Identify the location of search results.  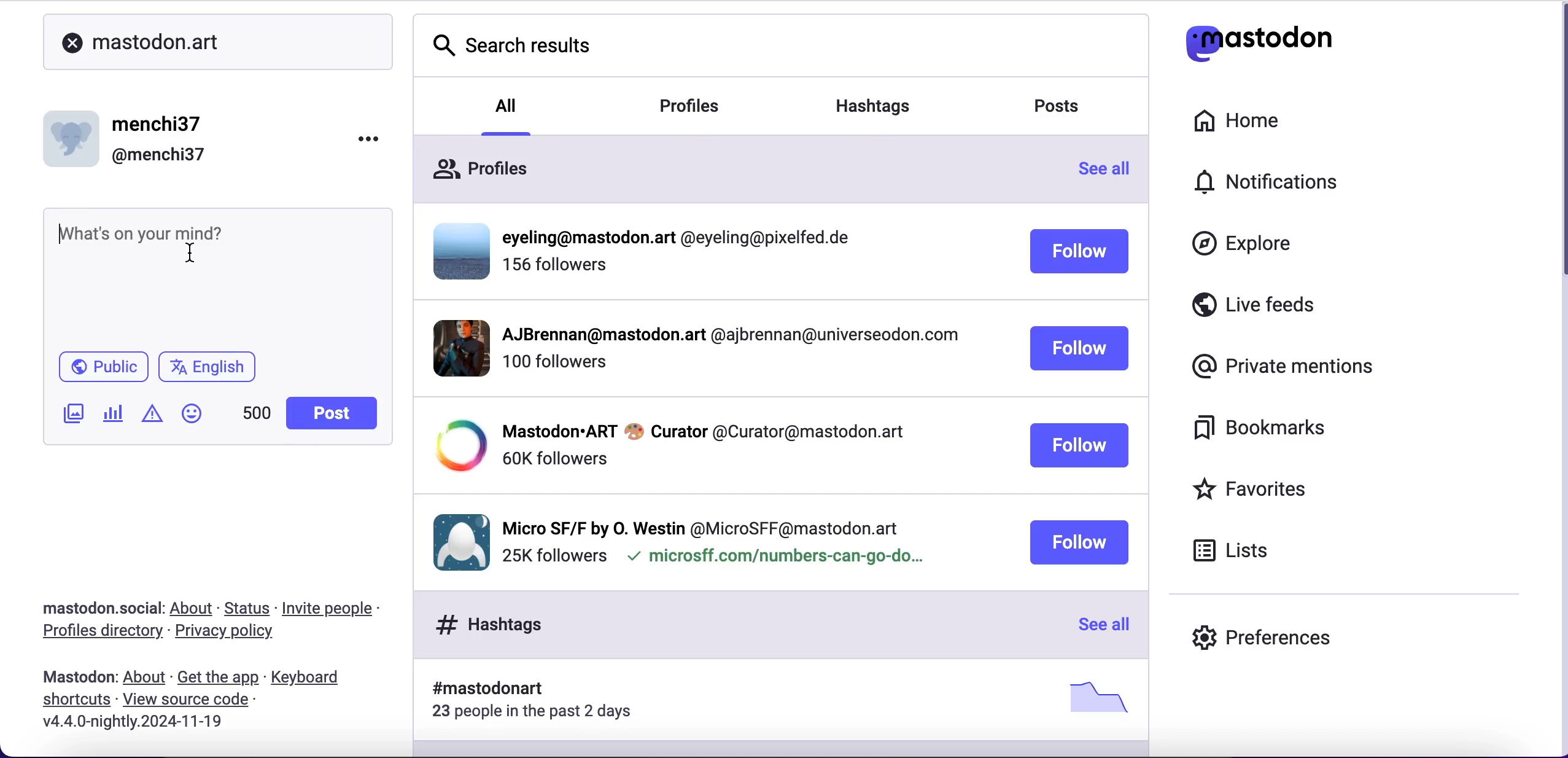
(782, 47).